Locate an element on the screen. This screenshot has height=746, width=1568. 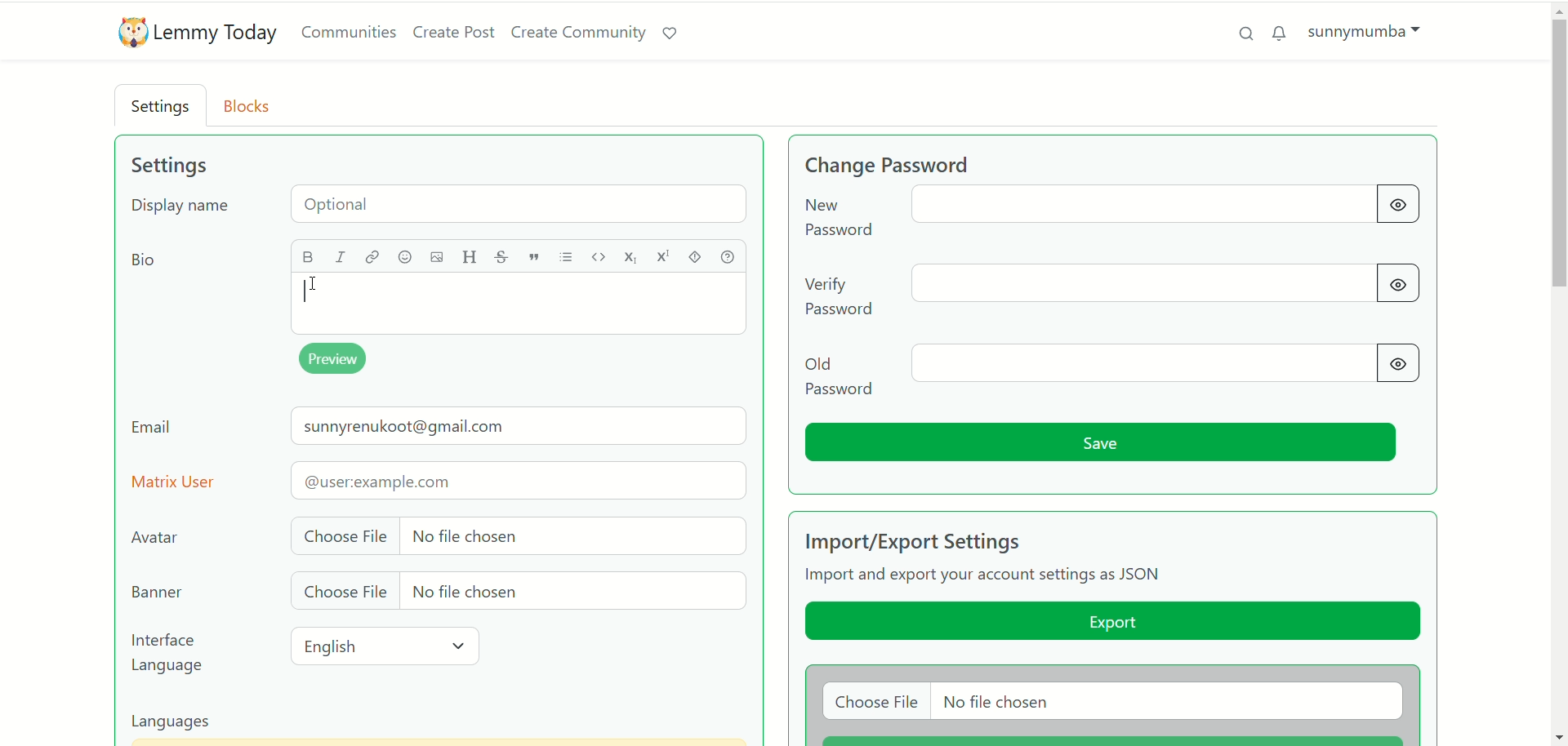
quote is located at coordinates (533, 257).